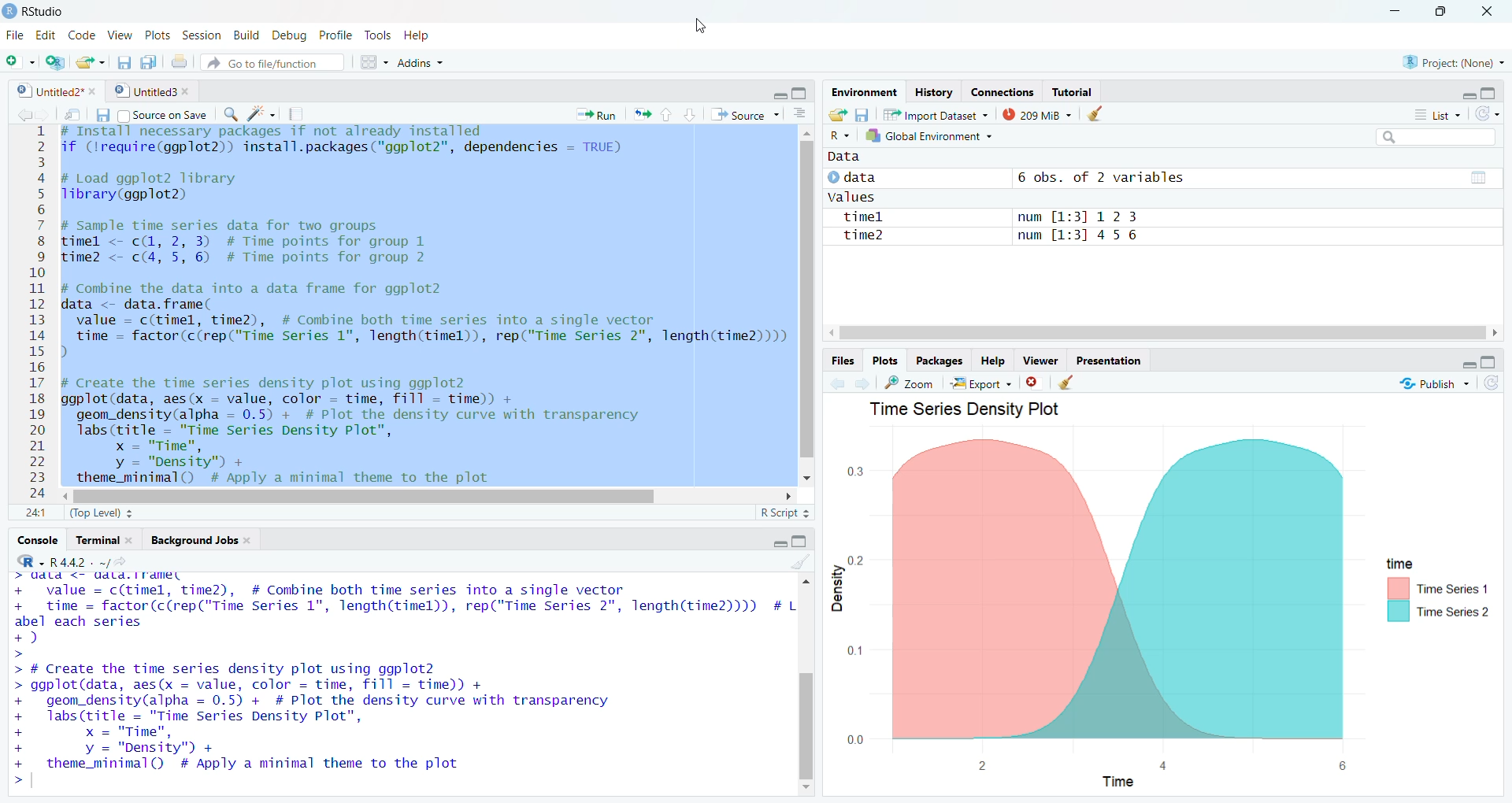  I want to click on Debug, so click(287, 33).